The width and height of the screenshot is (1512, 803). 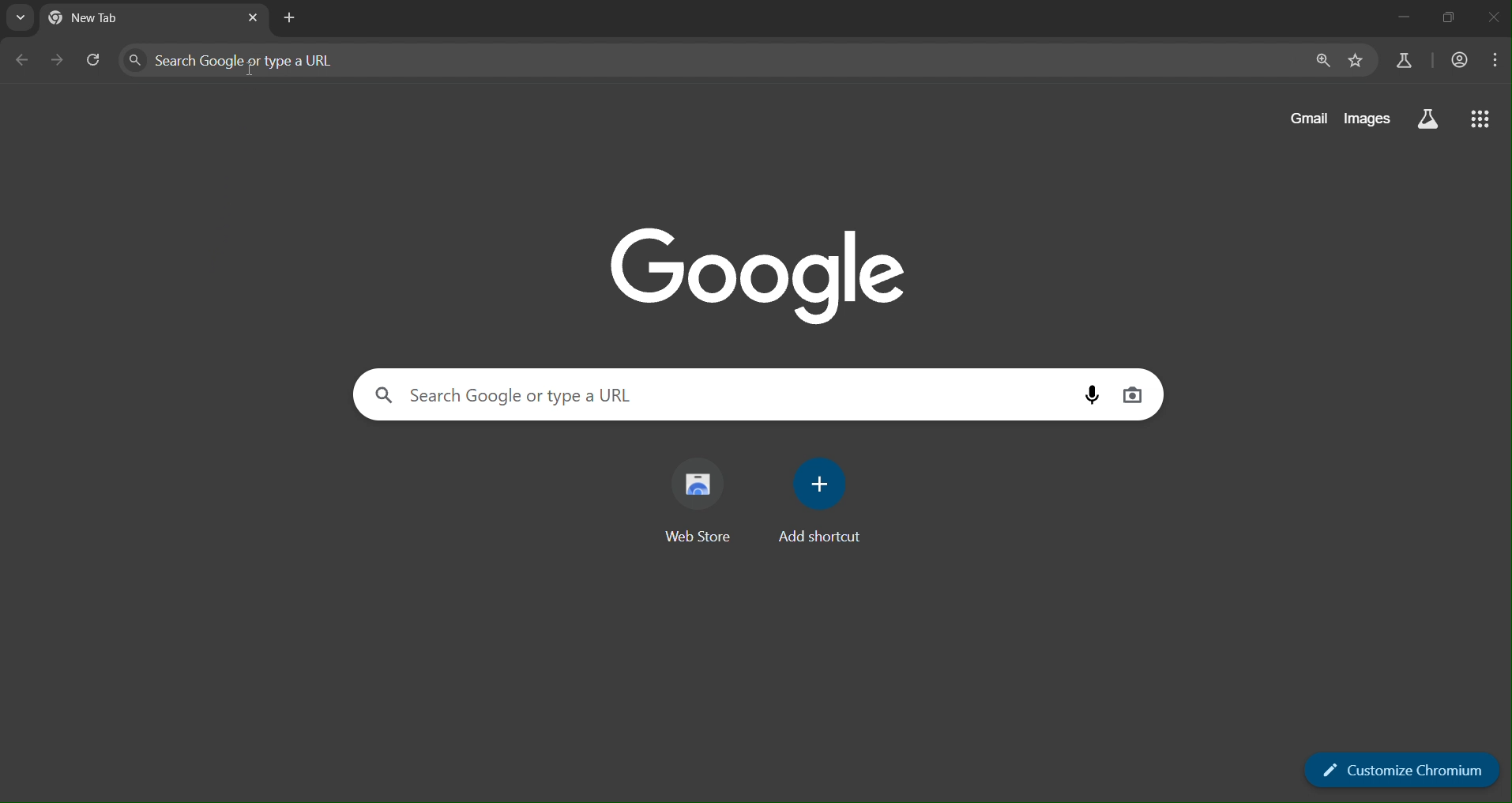 What do you see at coordinates (1494, 20) in the screenshot?
I see `close` at bounding box center [1494, 20].